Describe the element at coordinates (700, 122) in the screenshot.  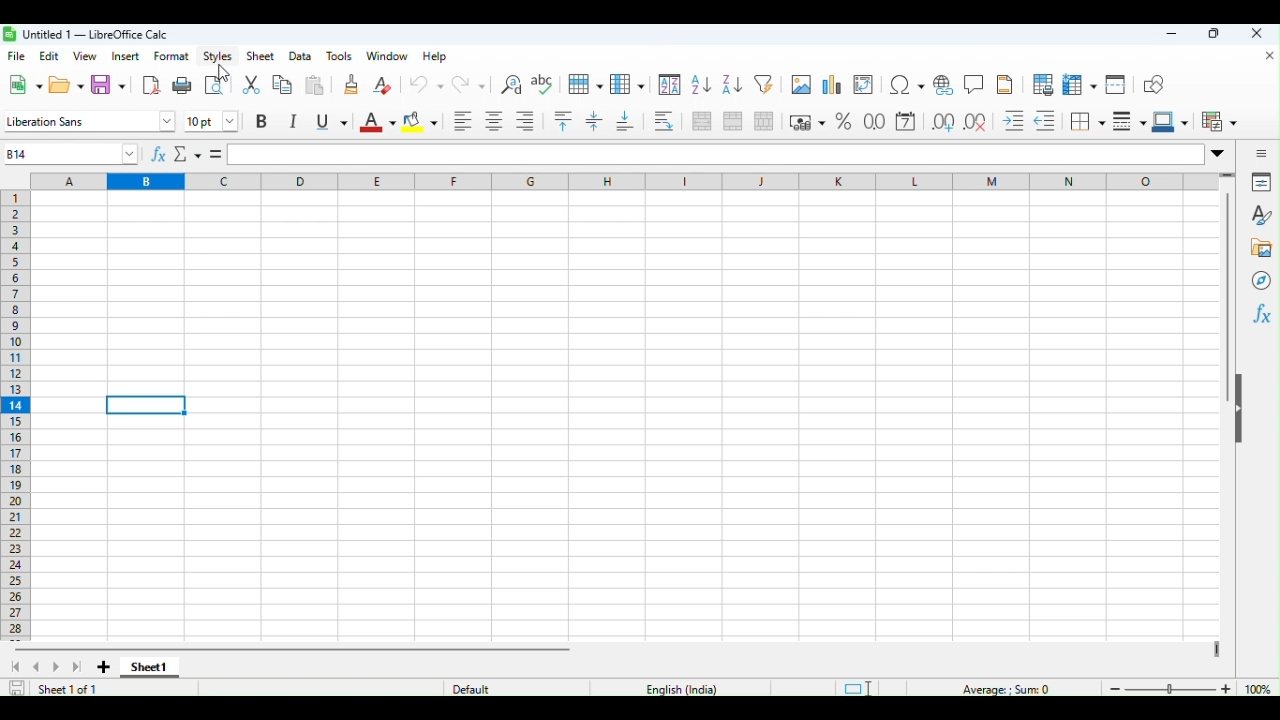
I see `merge And centre` at that location.